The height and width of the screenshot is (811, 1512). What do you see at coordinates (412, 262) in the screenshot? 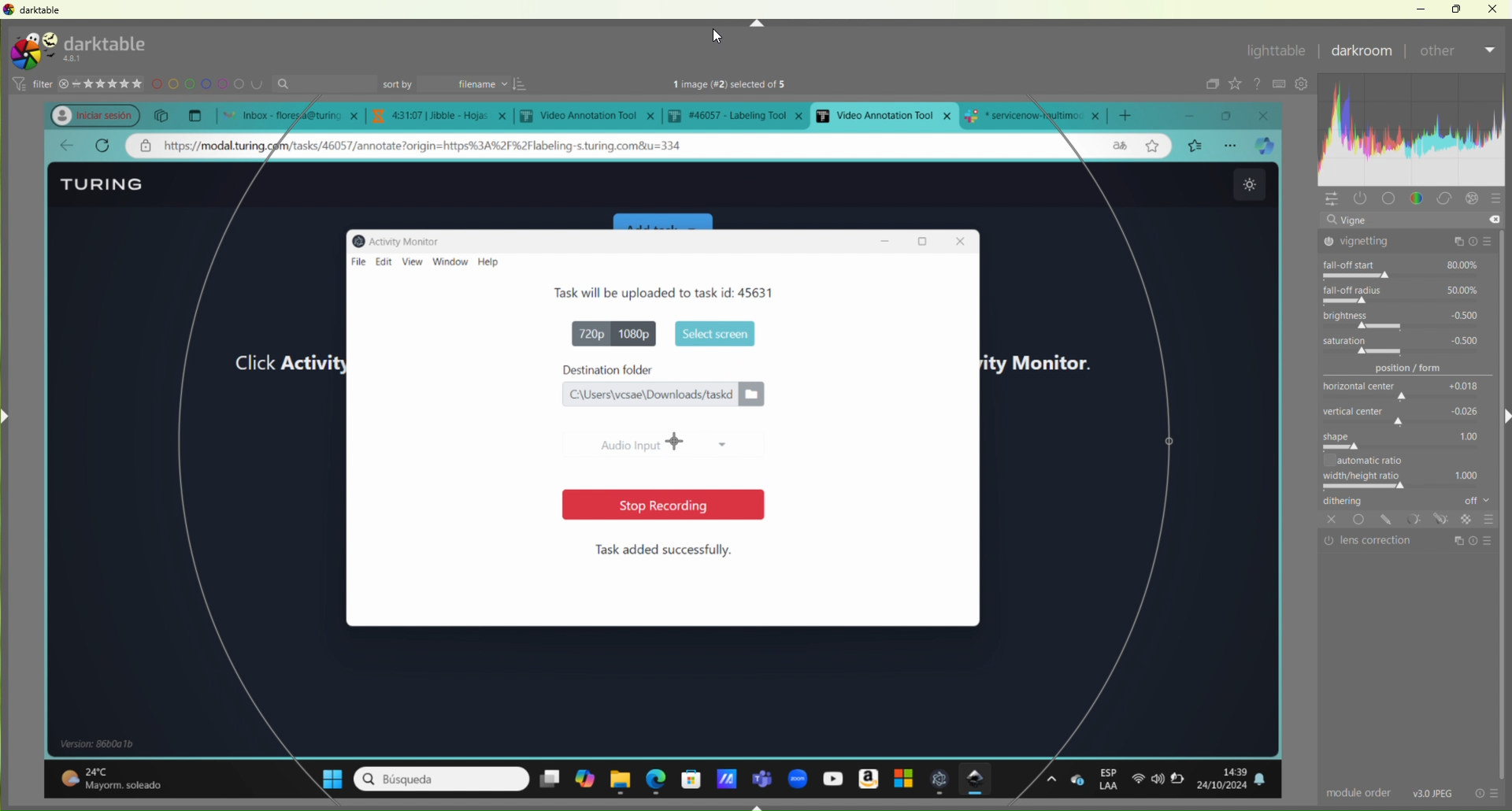
I see `view` at bounding box center [412, 262].